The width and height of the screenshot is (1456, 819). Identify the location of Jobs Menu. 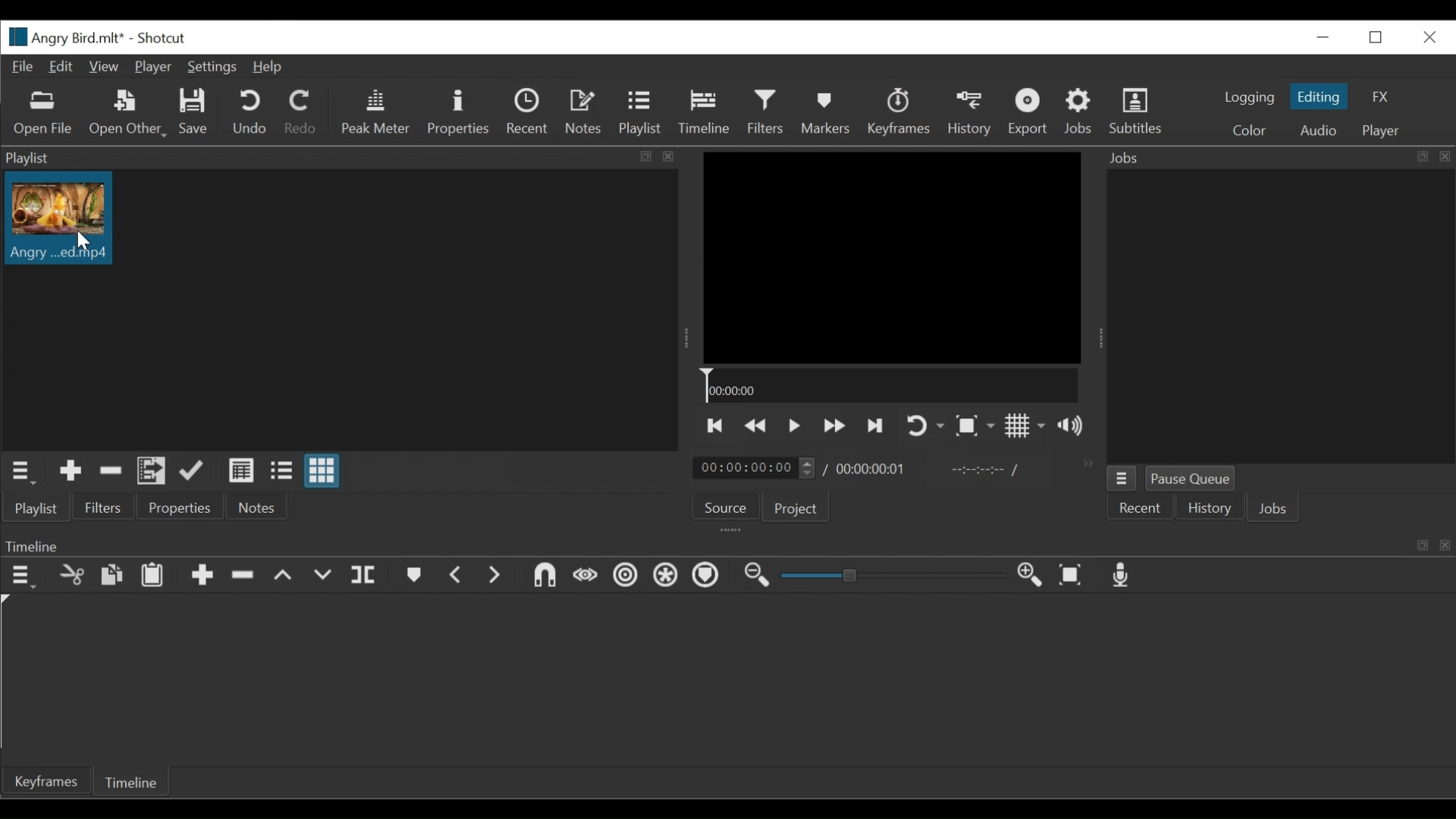
(1122, 480).